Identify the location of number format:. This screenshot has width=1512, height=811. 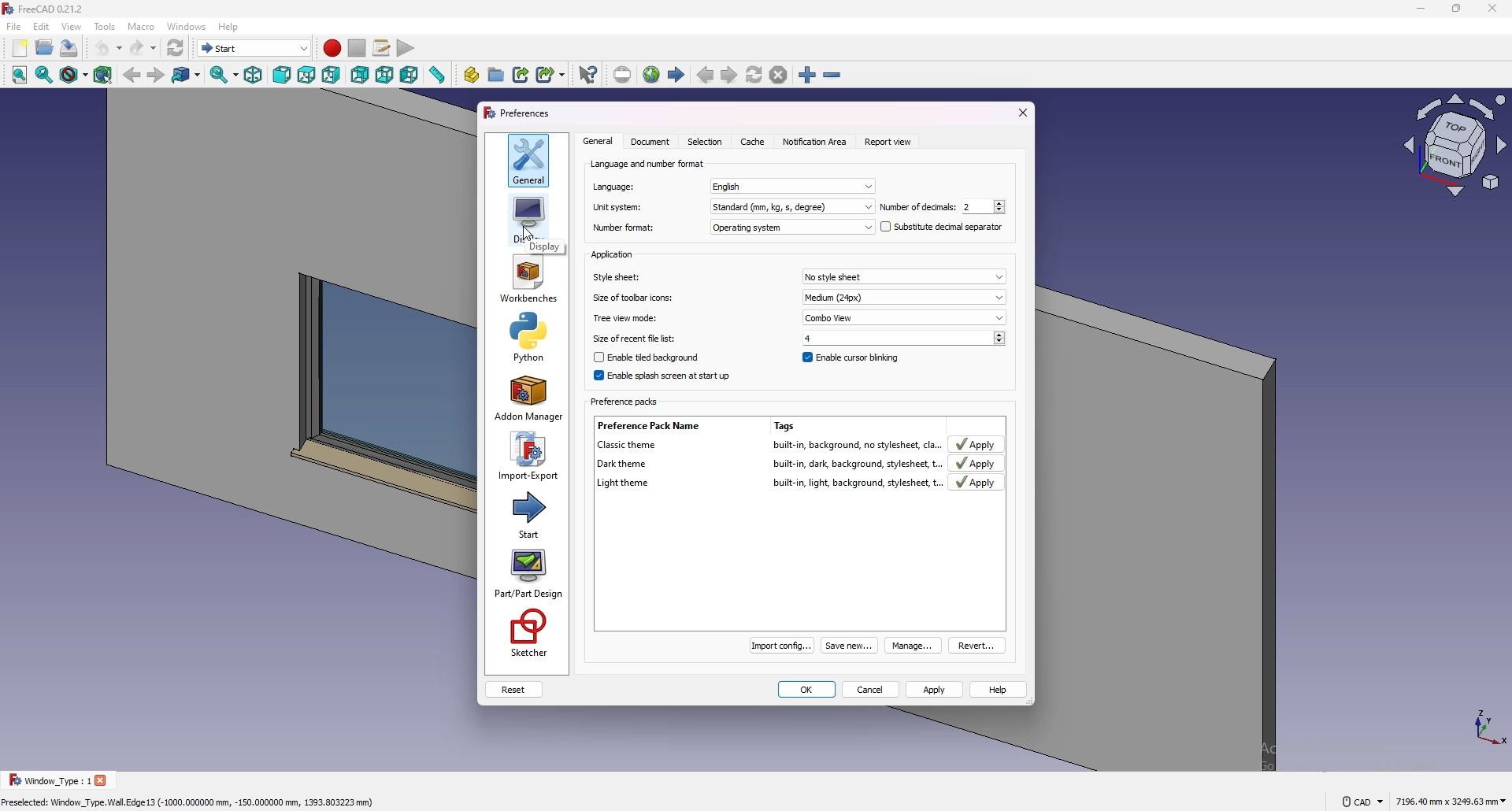
(624, 228).